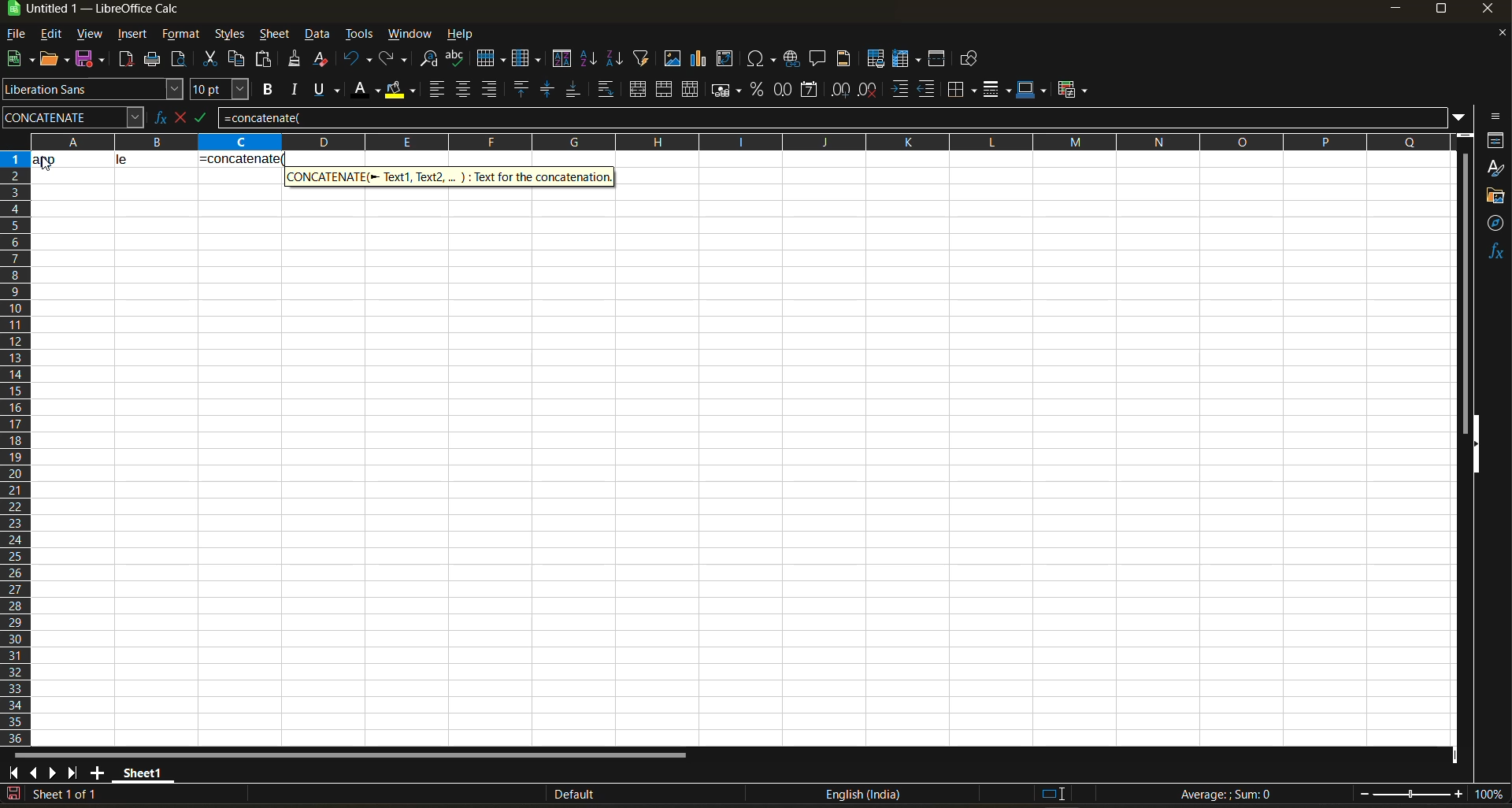  What do you see at coordinates (223, 91) in the screenshot?
I see `font size` at bounding box center [223, 91].